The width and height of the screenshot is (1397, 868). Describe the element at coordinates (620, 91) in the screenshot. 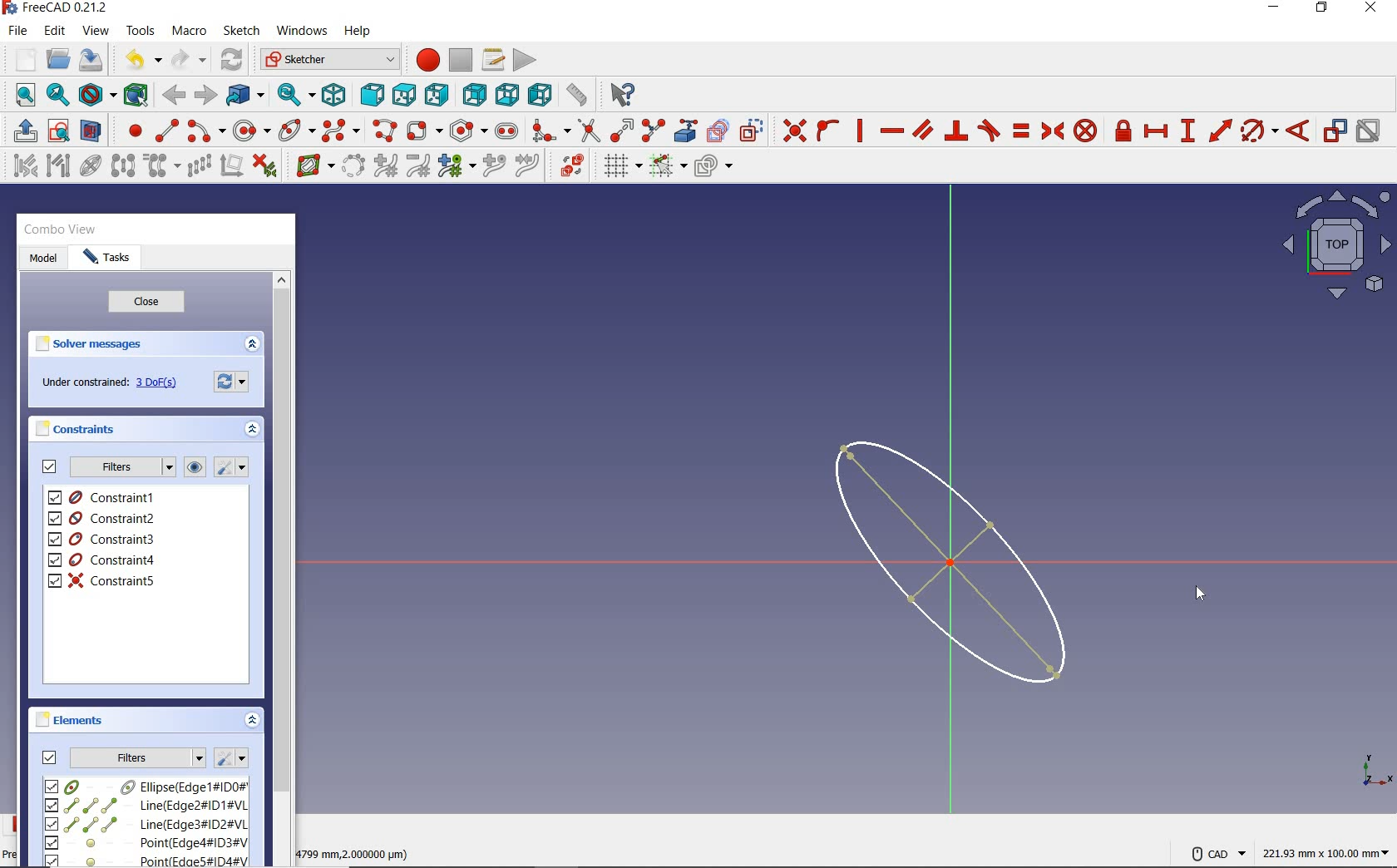

I see `what's this?` at that location.